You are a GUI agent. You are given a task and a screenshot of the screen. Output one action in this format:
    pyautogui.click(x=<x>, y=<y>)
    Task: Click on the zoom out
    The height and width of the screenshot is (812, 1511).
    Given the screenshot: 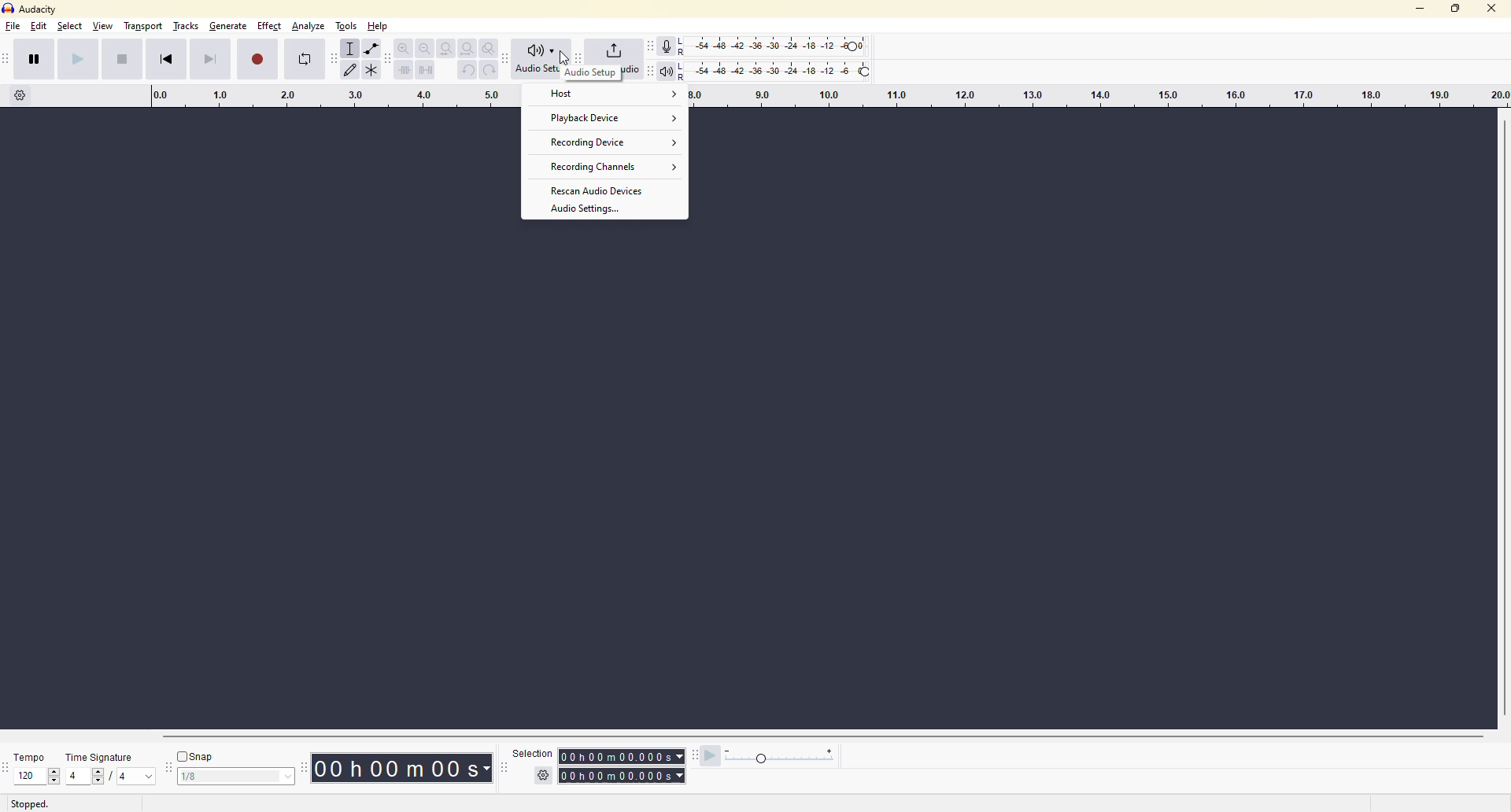 What is the action you would take?
    pyautogui.click(x=424, y=50)
    